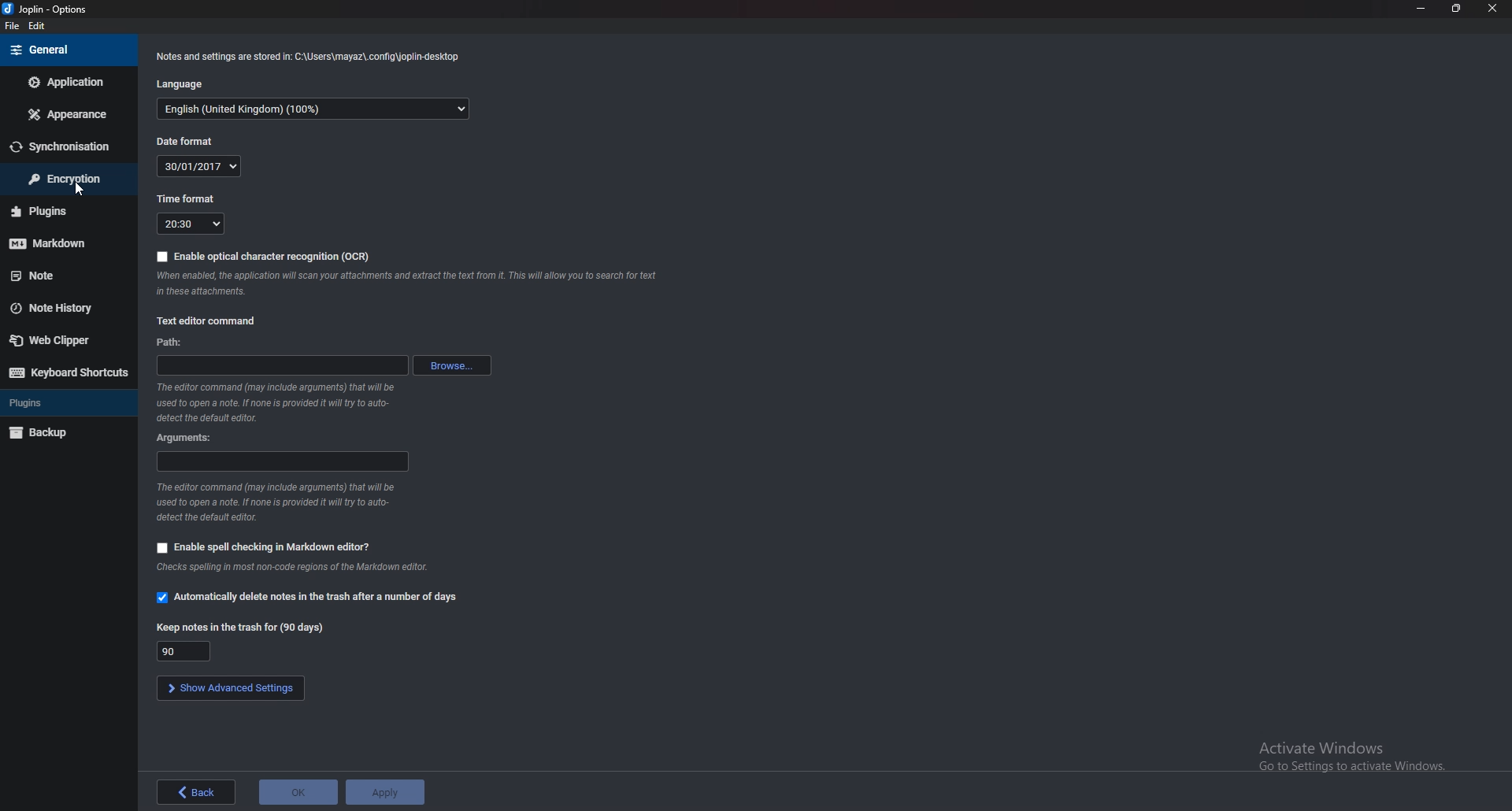 The image size is (1512, 811). I want to click on enable spell check, so click(266, 546).